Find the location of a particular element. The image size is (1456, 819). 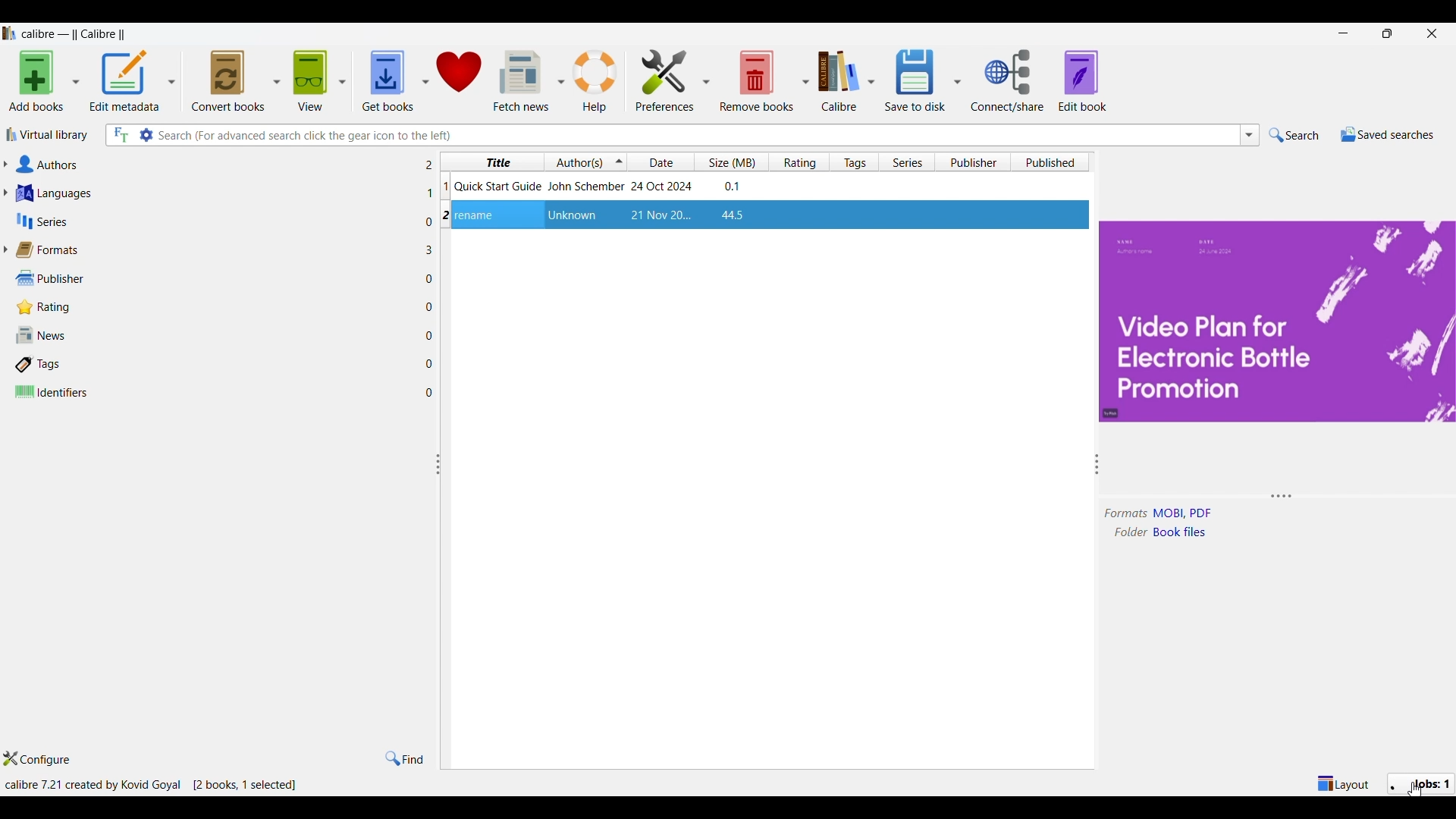

Remove book options is located at coordinates (805, 82).